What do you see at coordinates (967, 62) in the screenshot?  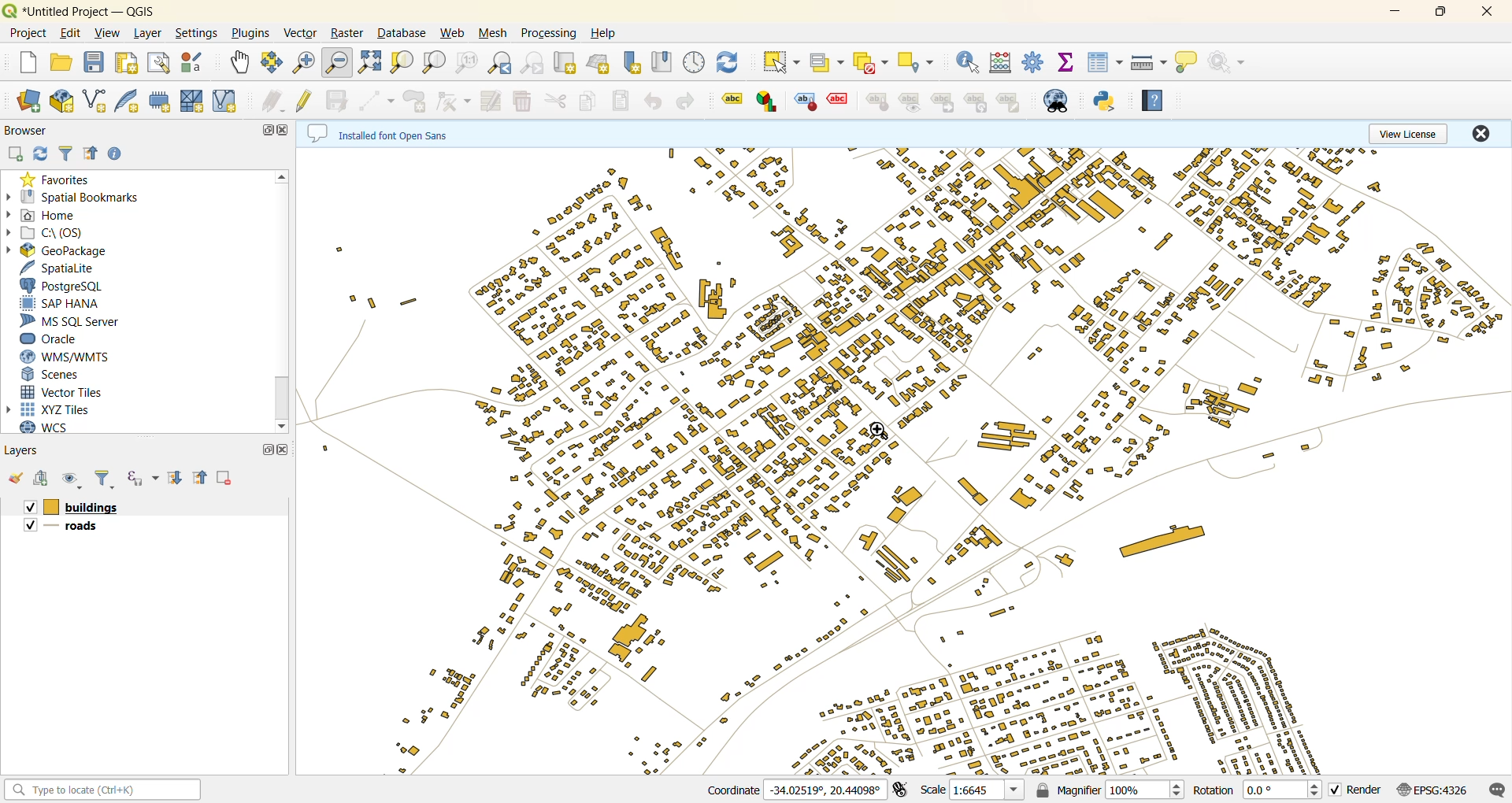 I see `identify features` at bounding box center [967, 62].